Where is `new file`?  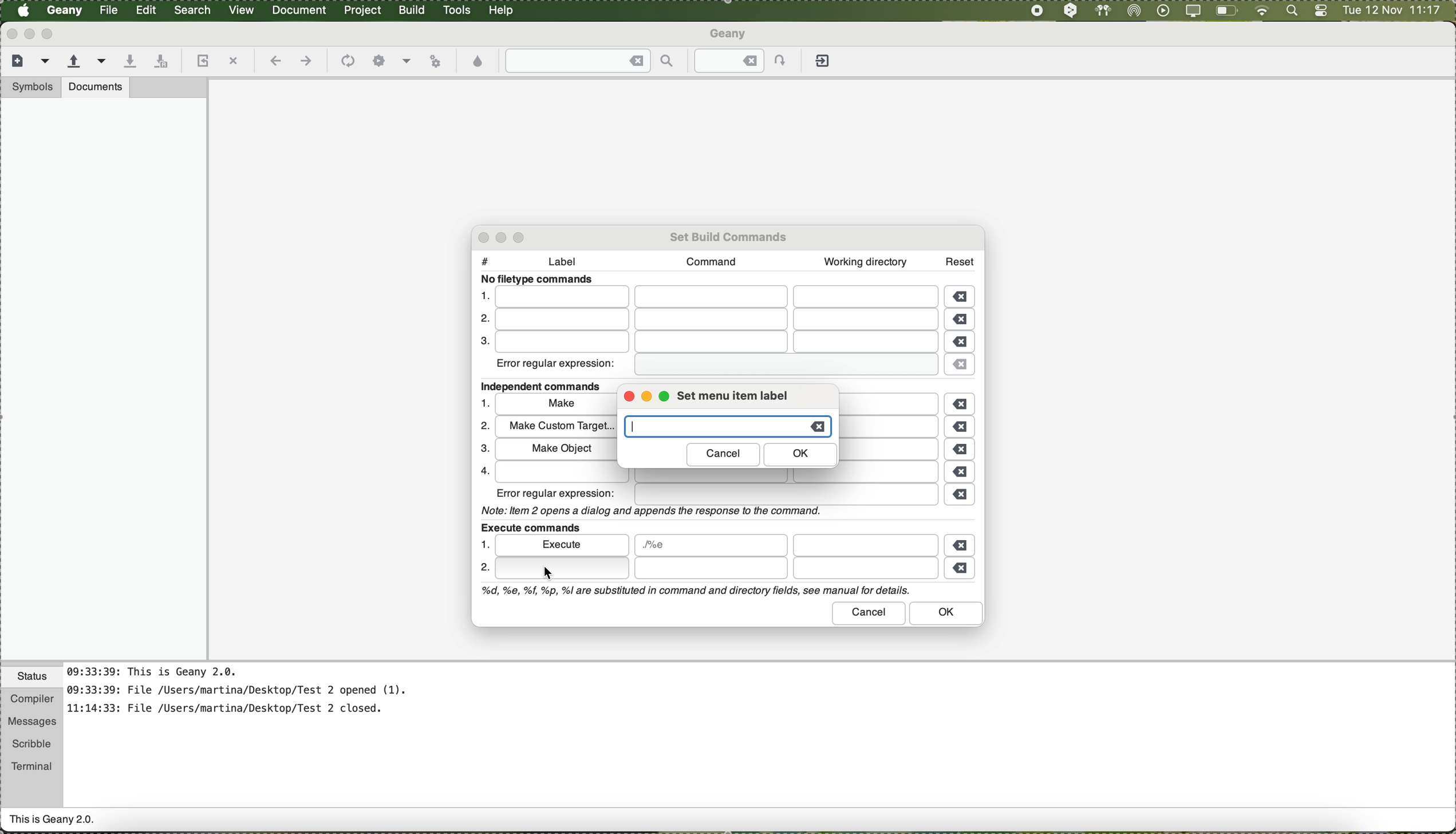 new file is located at coordinates (15, 60).